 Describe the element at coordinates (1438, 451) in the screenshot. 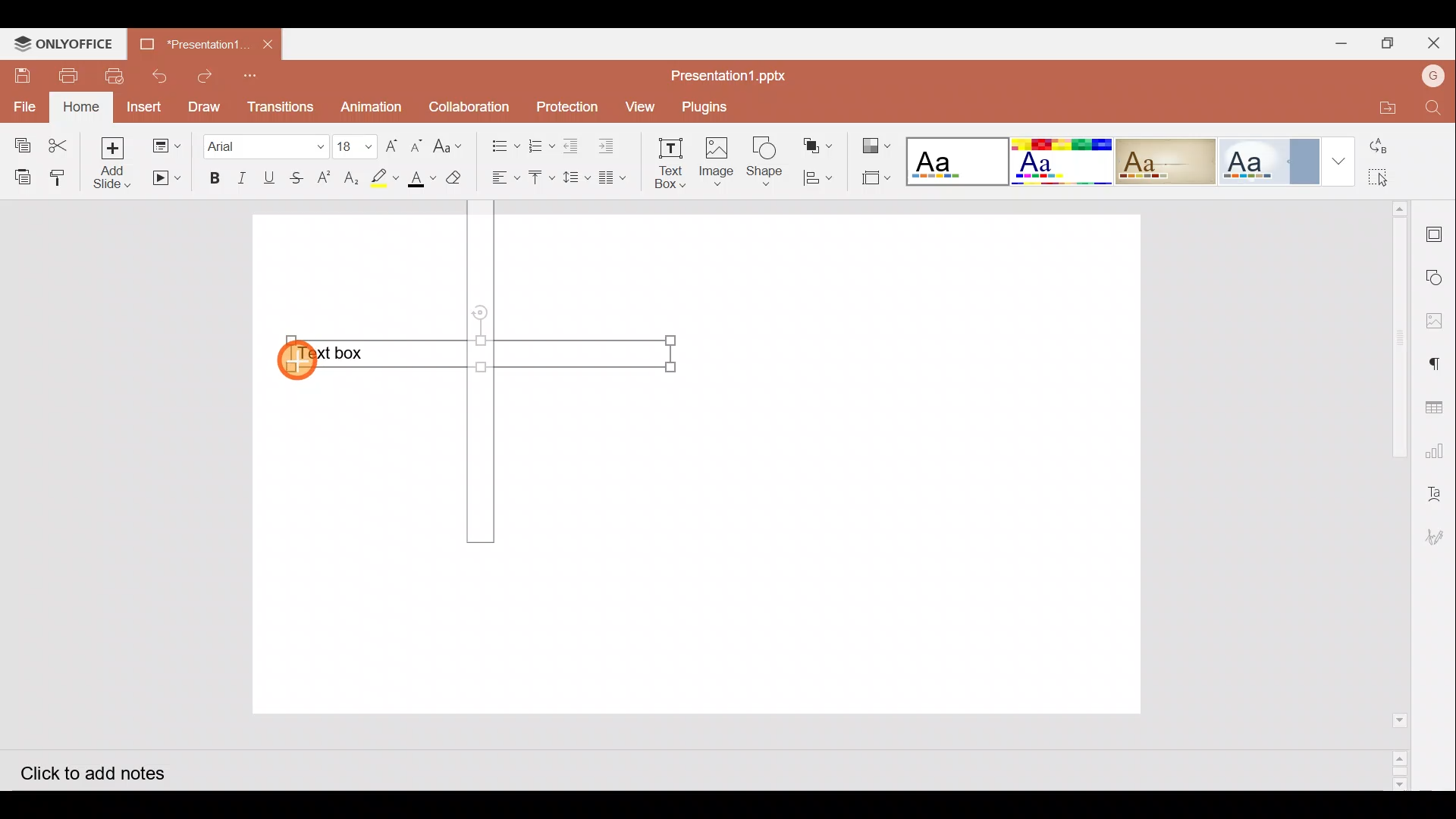

I see `Chart settings` at that location.